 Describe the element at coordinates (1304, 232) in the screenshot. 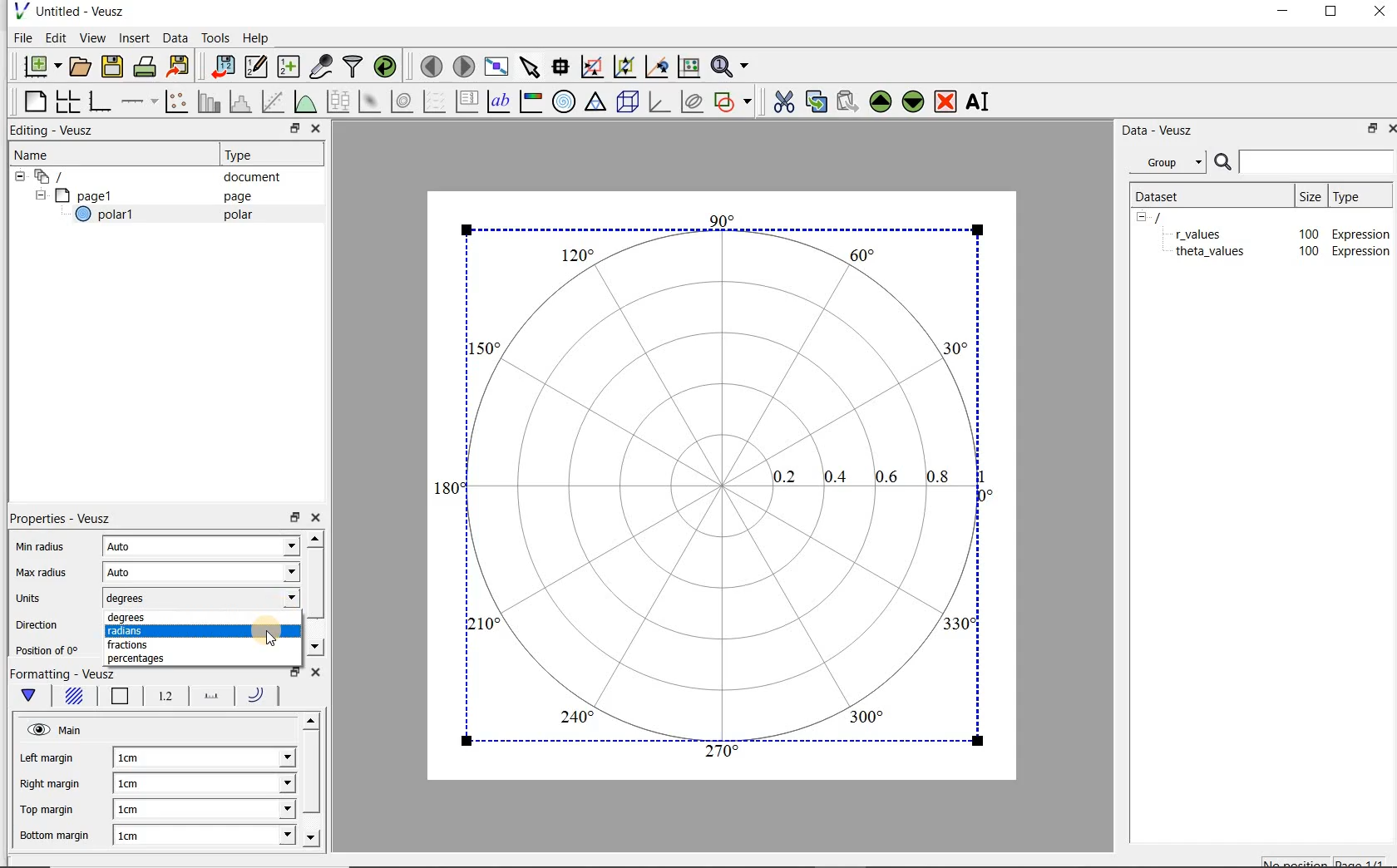

I see `100` at that location.